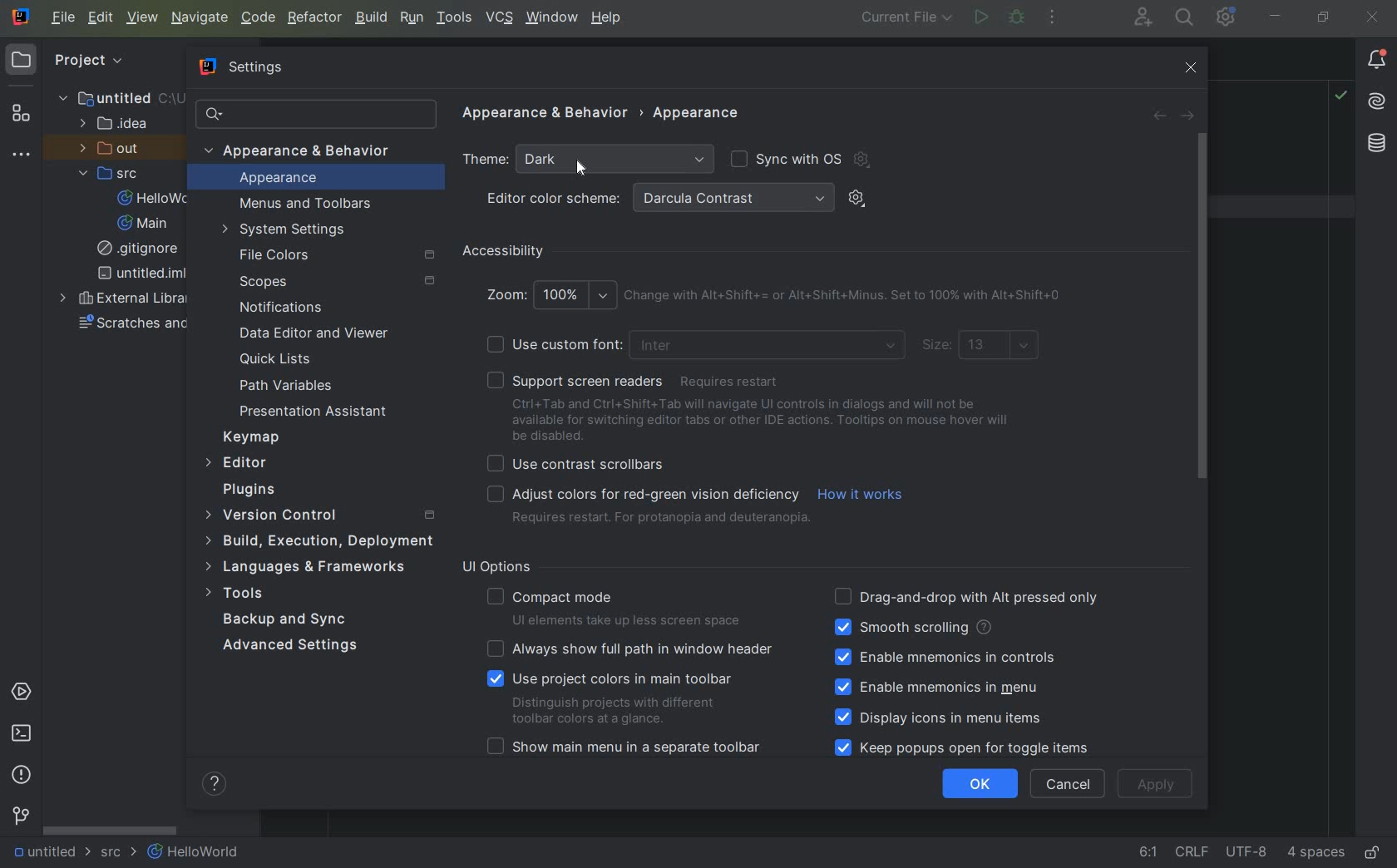 The height and width of the screenshot is (868, 1397). Describe the element at coordinates (1054, 19) in the screenshot. I see `MORE ACTIONS` at that location.